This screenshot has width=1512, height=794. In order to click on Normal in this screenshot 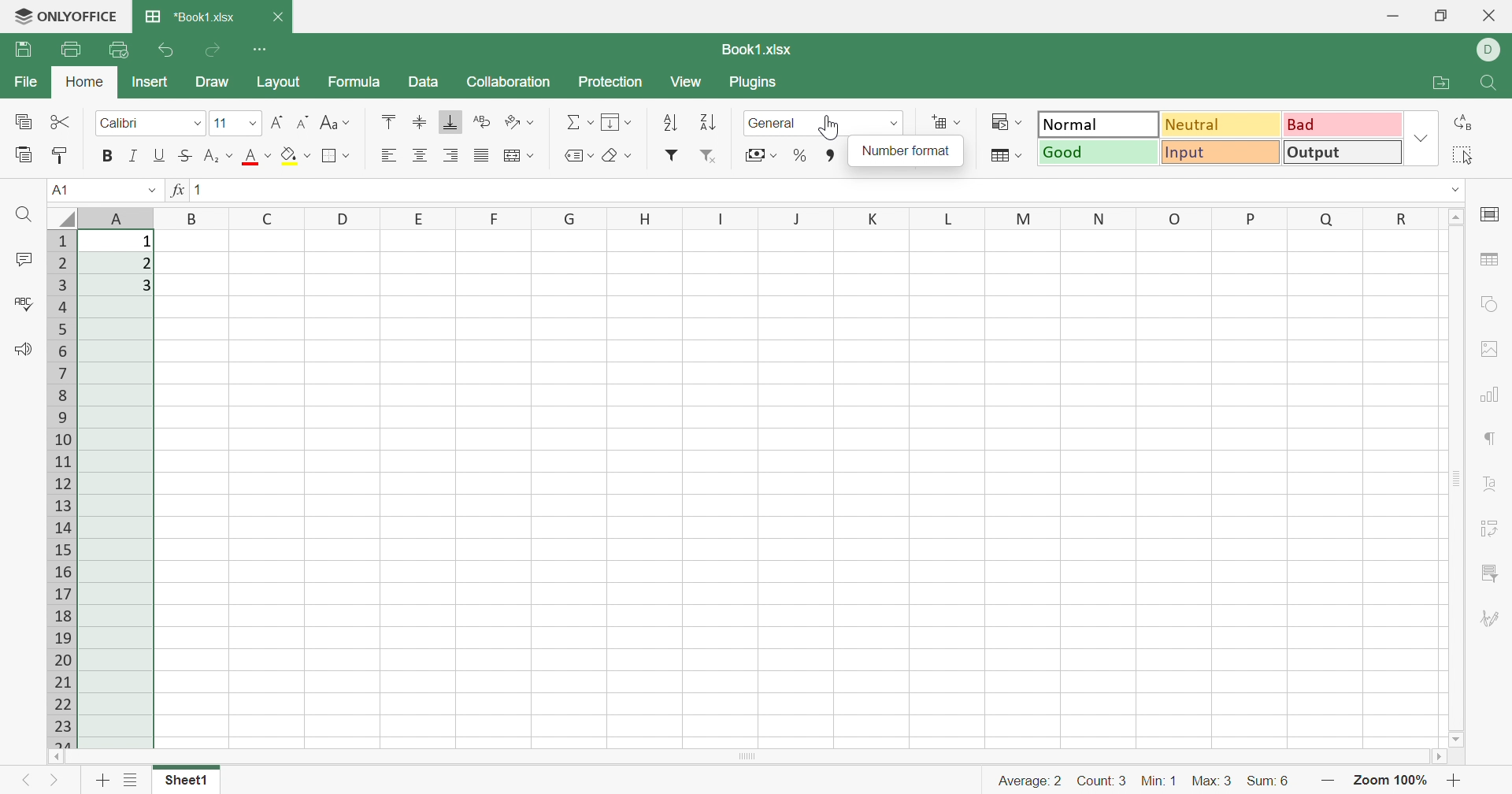, I will do `click(1099, 123)`.